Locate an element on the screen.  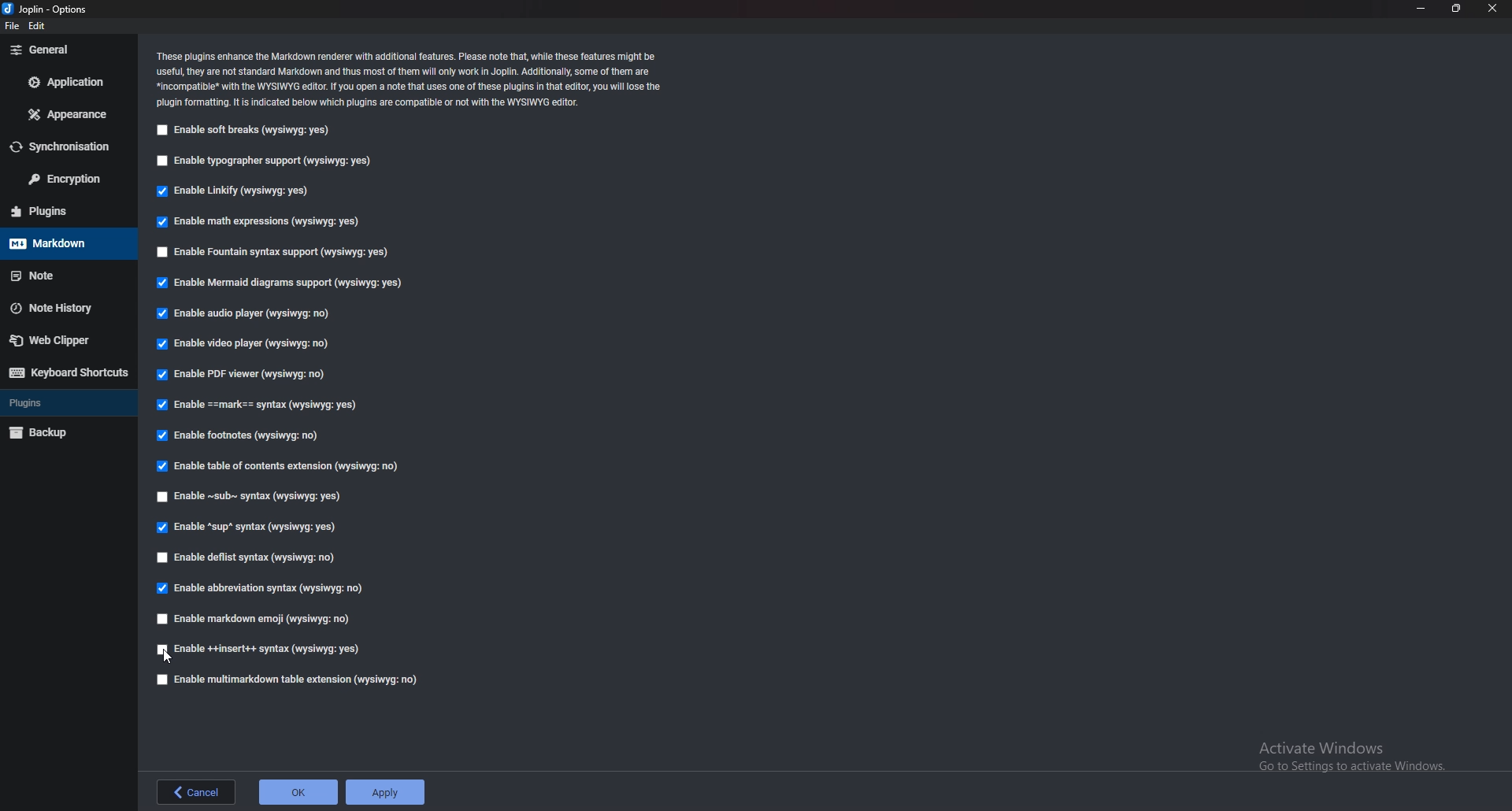
apply is located at coordinates (388, 791).